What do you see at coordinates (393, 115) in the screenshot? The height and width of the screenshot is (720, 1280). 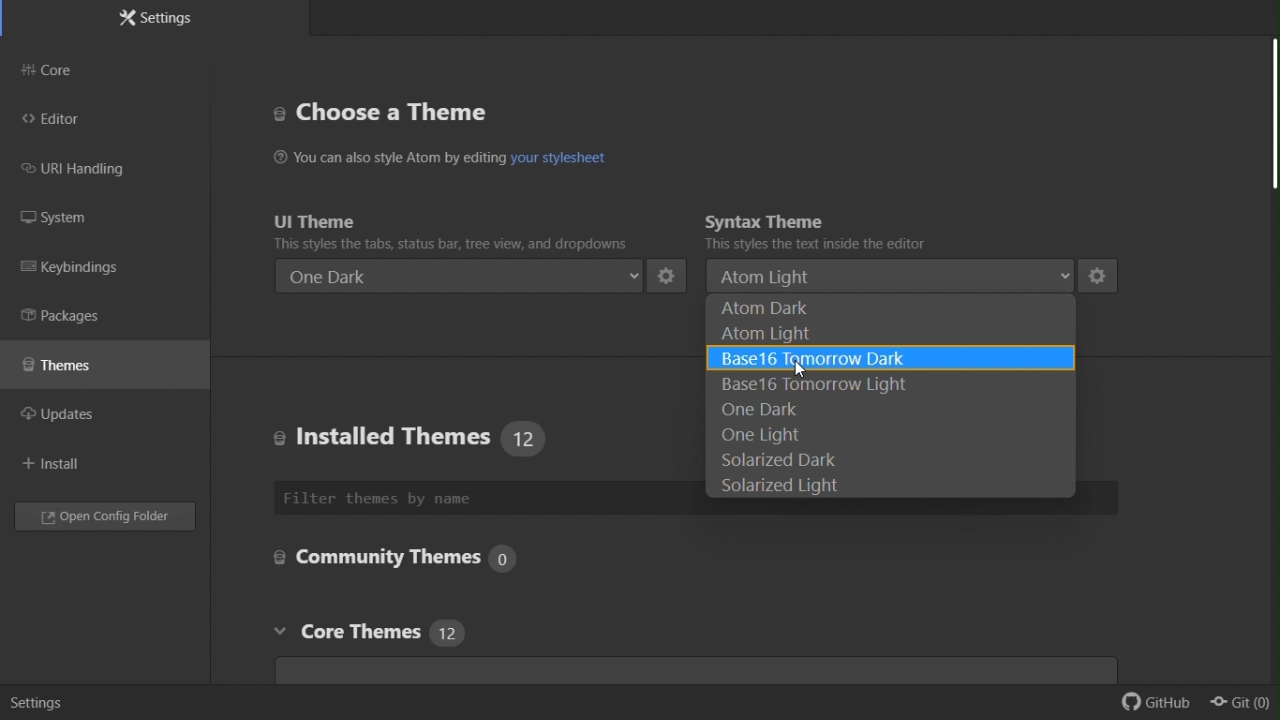 I see `Choose a theme` at bounding box center [393, 115].